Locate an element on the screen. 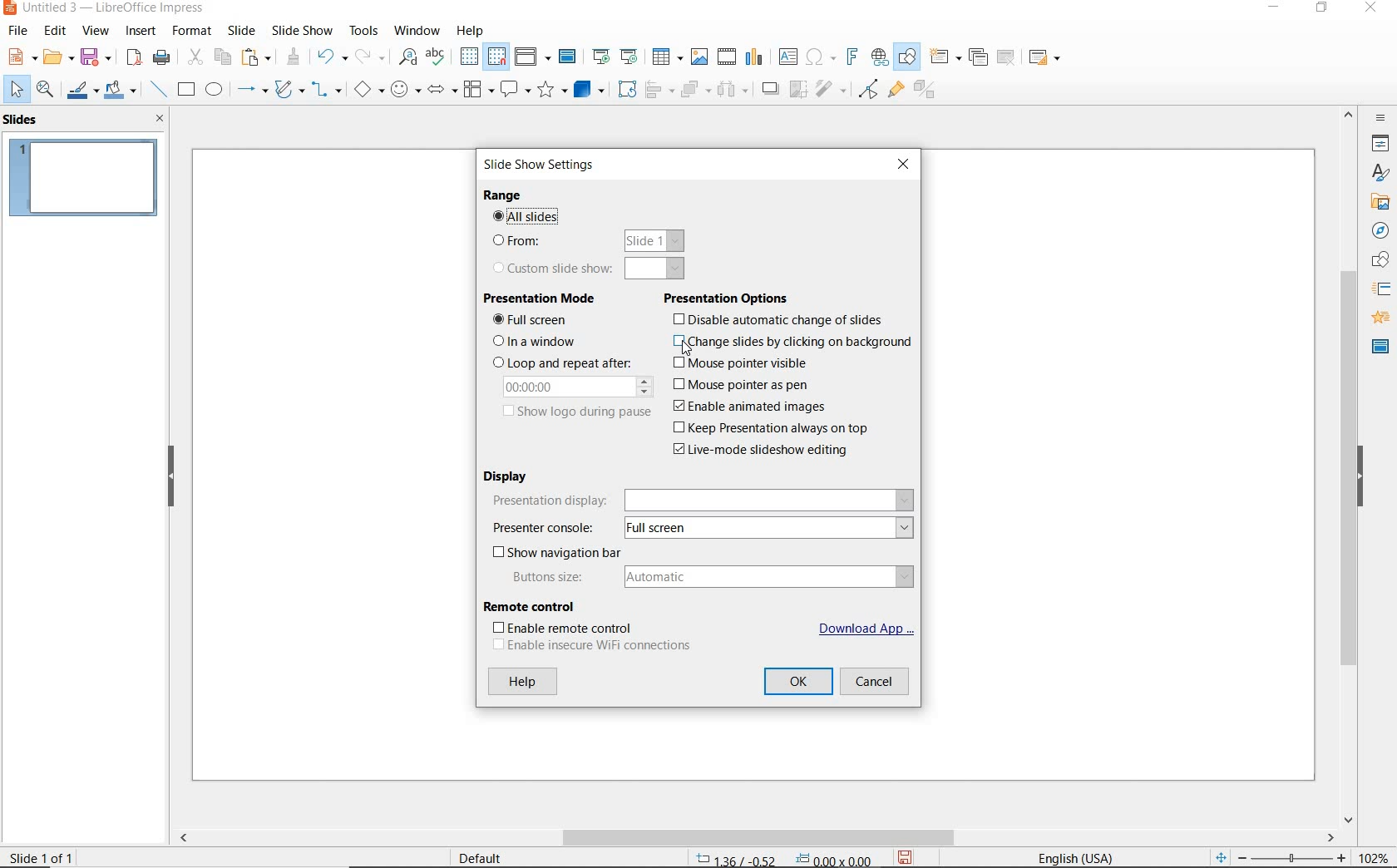 The width and height of the screenshot is (1397, 868). ZOOM FACTOR is located at coordinates (1375, 856).